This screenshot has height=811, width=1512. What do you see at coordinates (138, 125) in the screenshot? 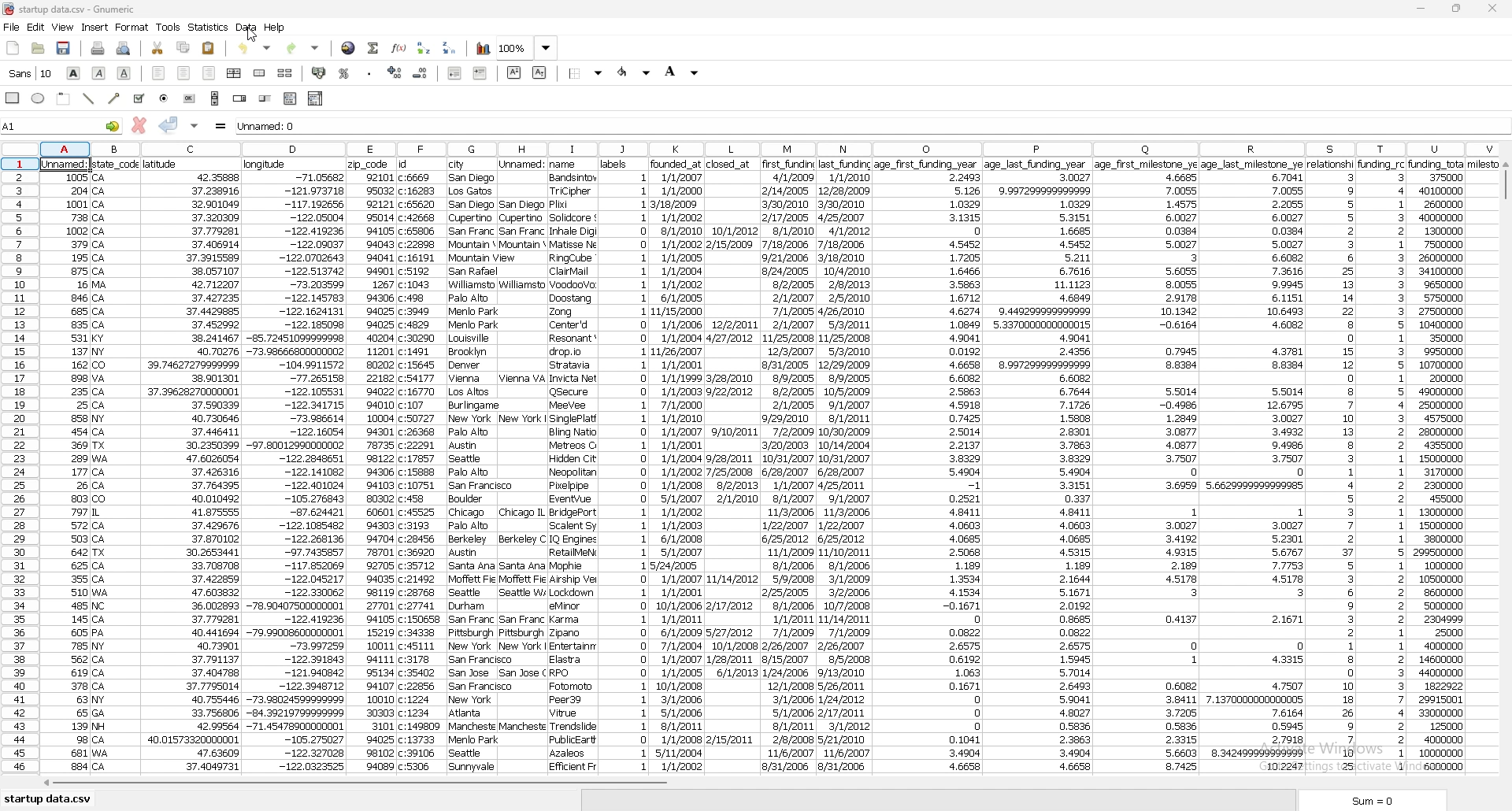
I see `cancel changes` at bounding box center [138, 125].